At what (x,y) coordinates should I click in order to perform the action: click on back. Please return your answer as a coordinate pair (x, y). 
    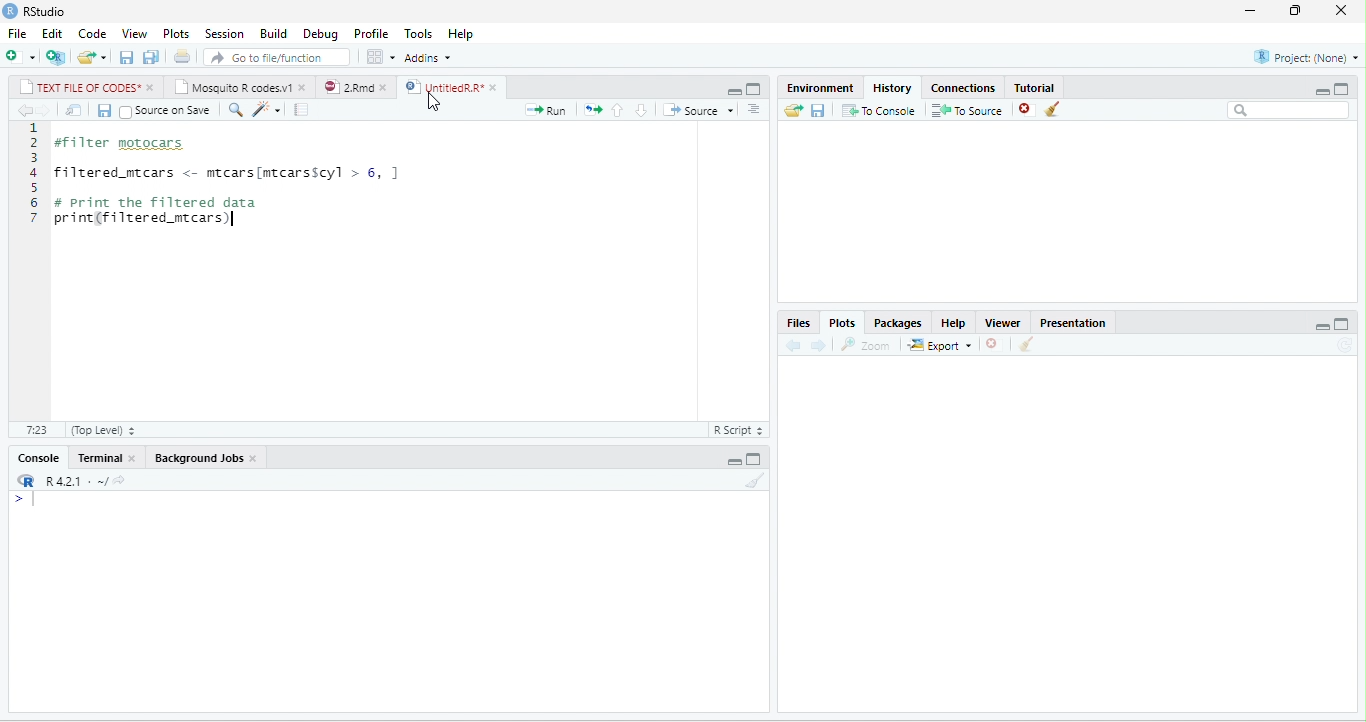
    Looking at the image, I should click on (794, 345).